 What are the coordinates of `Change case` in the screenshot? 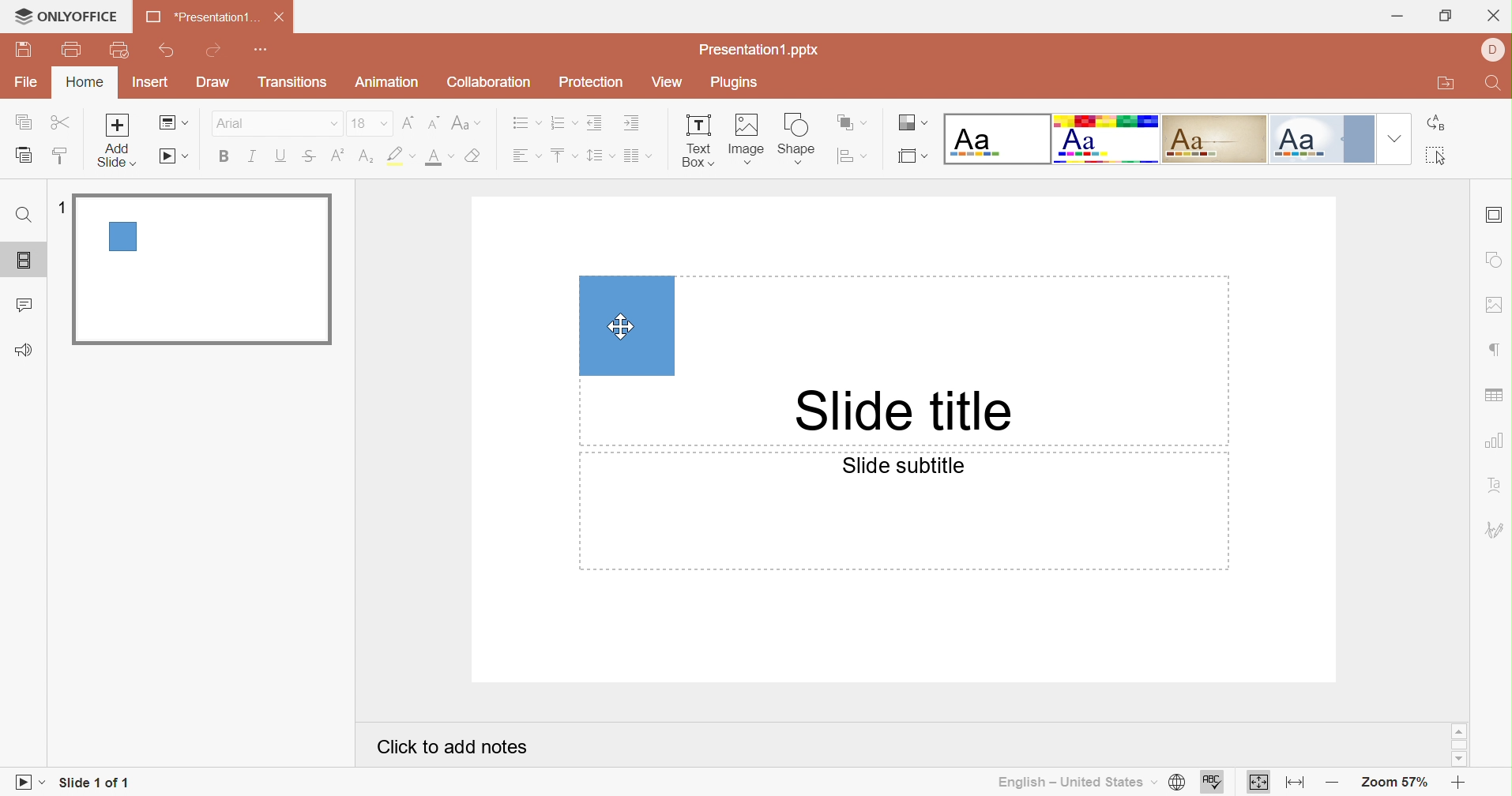 It's located at (465, 123).